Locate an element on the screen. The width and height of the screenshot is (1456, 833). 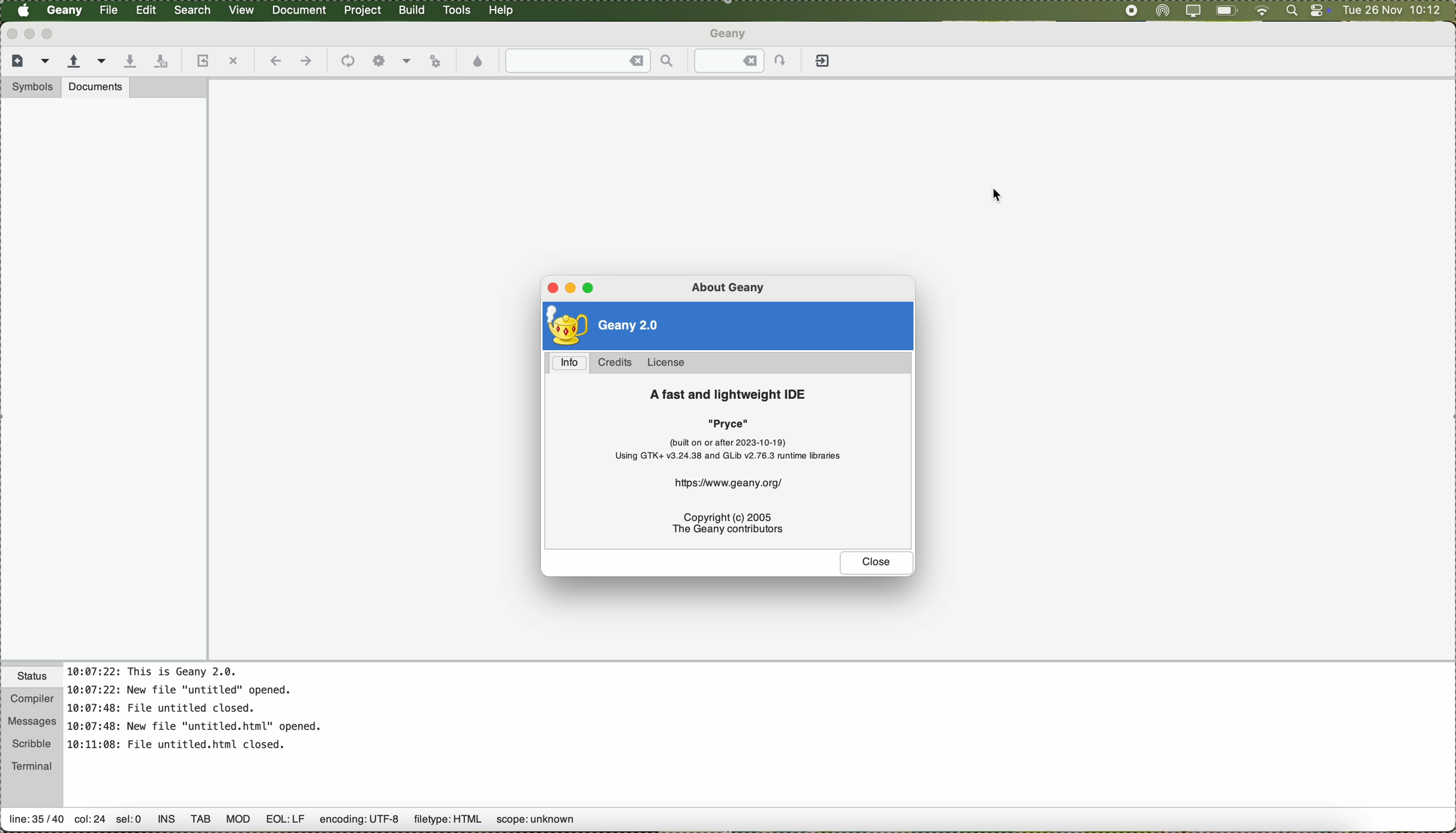
line 35/40 is located at coordinates (36, 822).